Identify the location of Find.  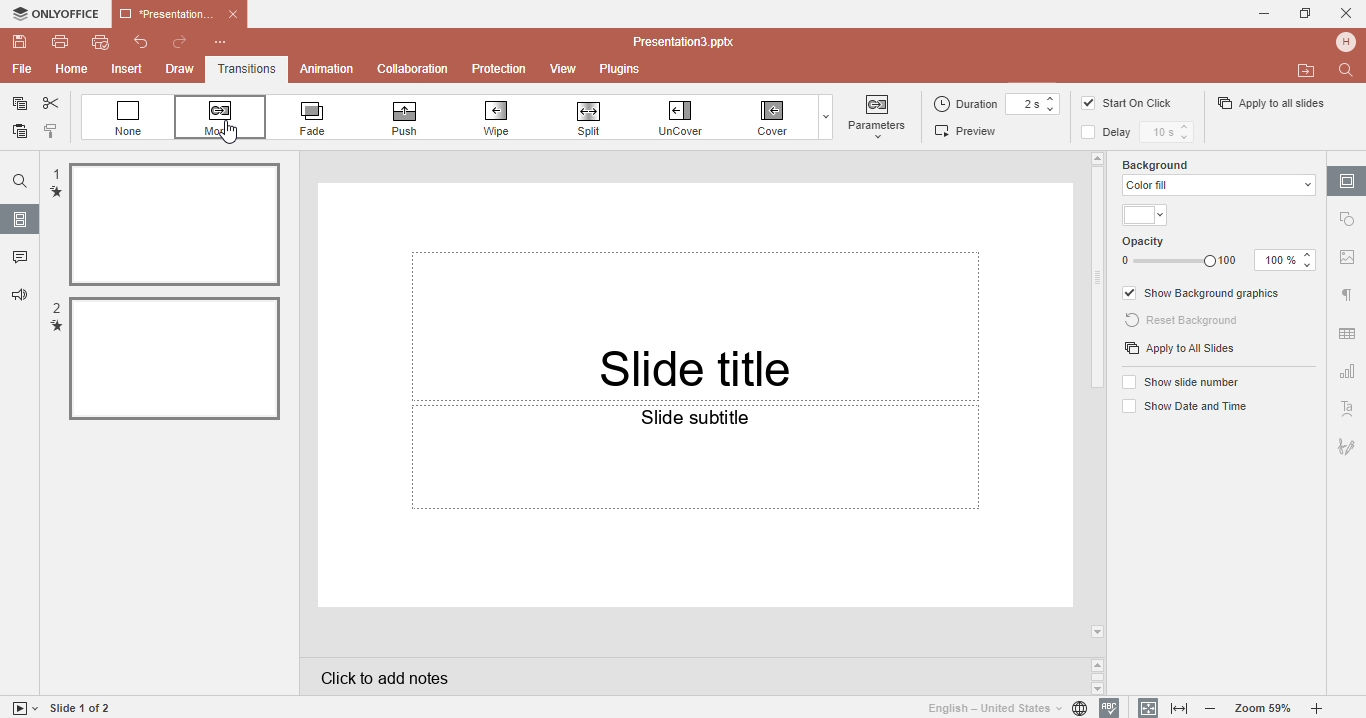
(1349, 70).